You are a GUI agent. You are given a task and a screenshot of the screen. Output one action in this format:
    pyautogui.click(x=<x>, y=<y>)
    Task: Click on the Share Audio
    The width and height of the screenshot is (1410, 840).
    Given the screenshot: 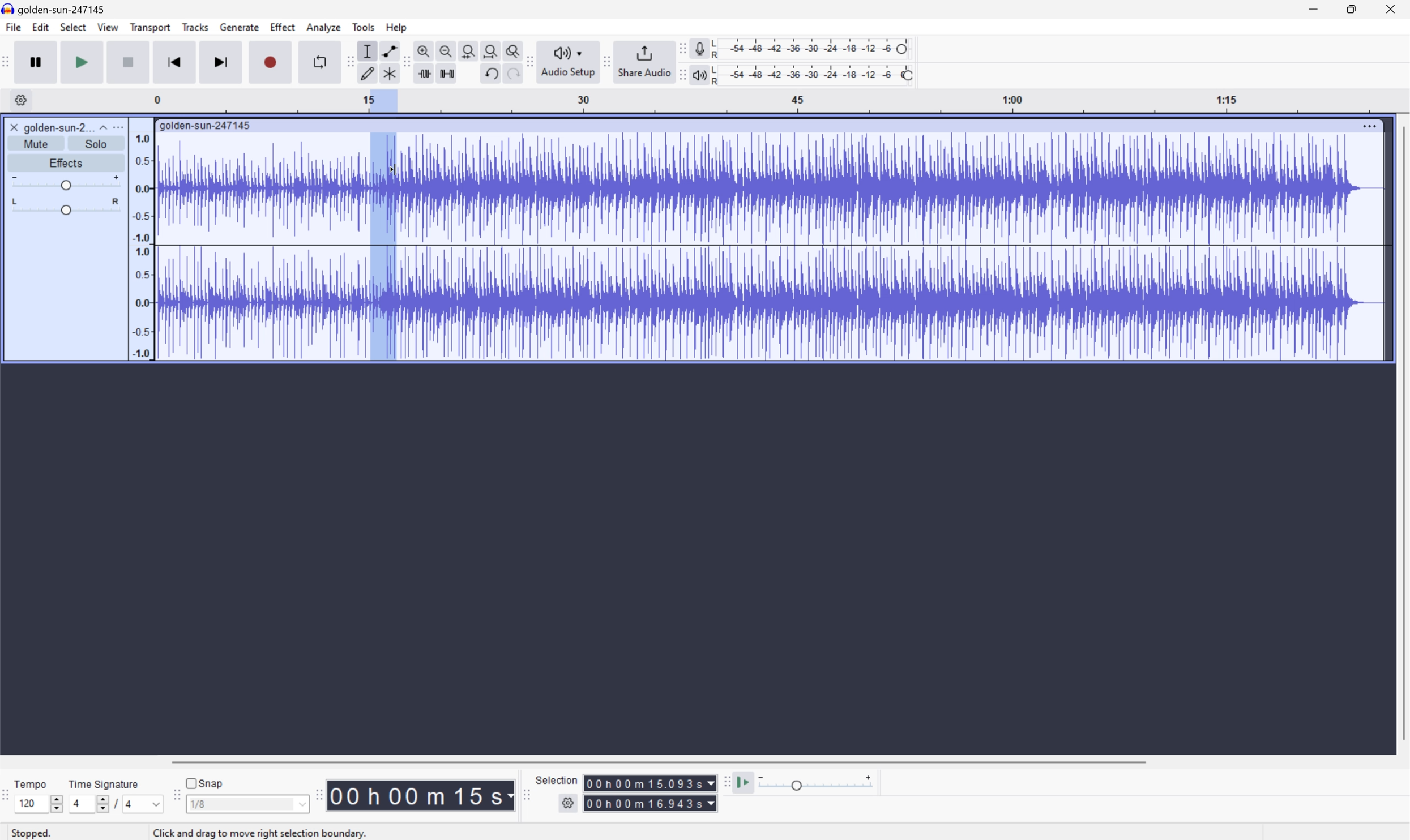 What is the action you would take?
    pyautogui.click(x=642, y=61)
    